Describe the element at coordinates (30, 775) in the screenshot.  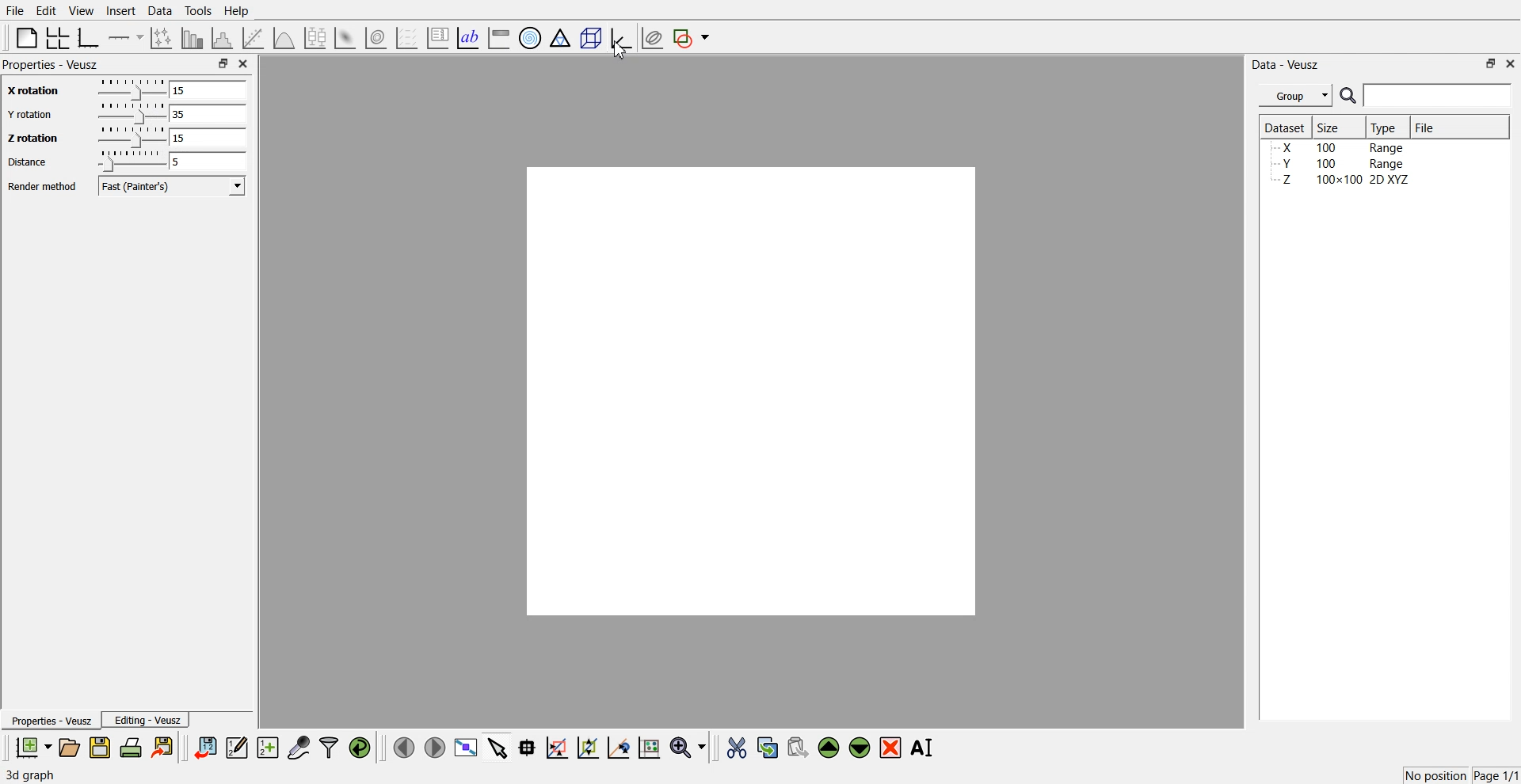
I see `3D graph` at that location.